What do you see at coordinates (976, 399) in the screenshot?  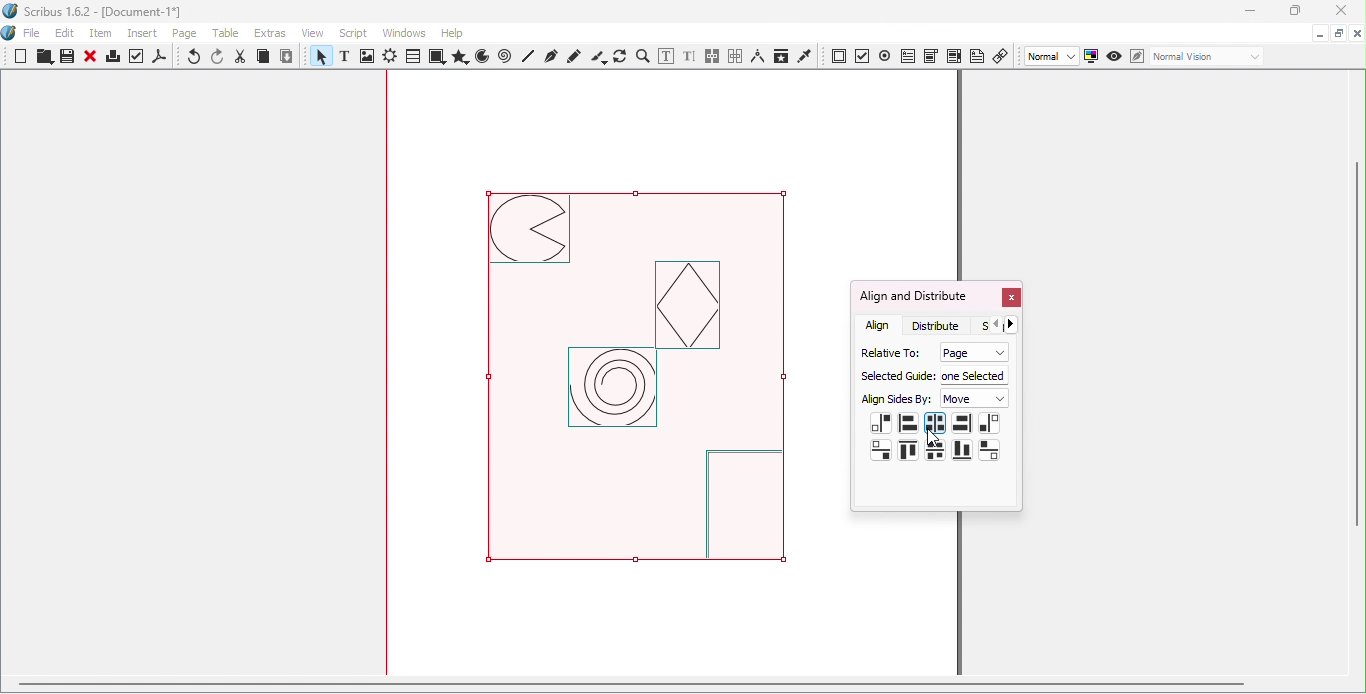 I see `Move` at bounding box center [976, 399].